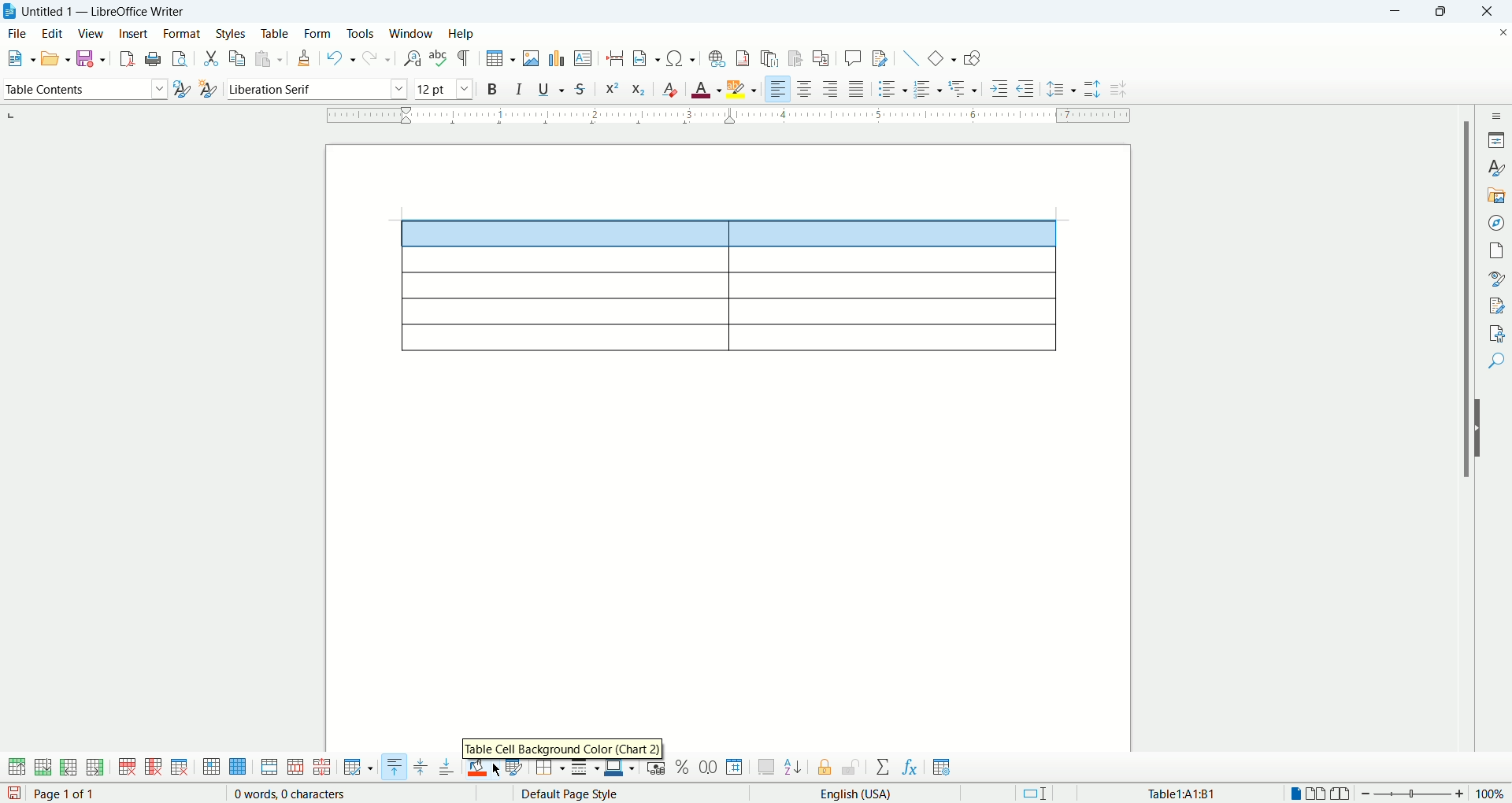  Describe the element at coordinates (556, 57) in the screenshot. I see `insert chart` at that location.